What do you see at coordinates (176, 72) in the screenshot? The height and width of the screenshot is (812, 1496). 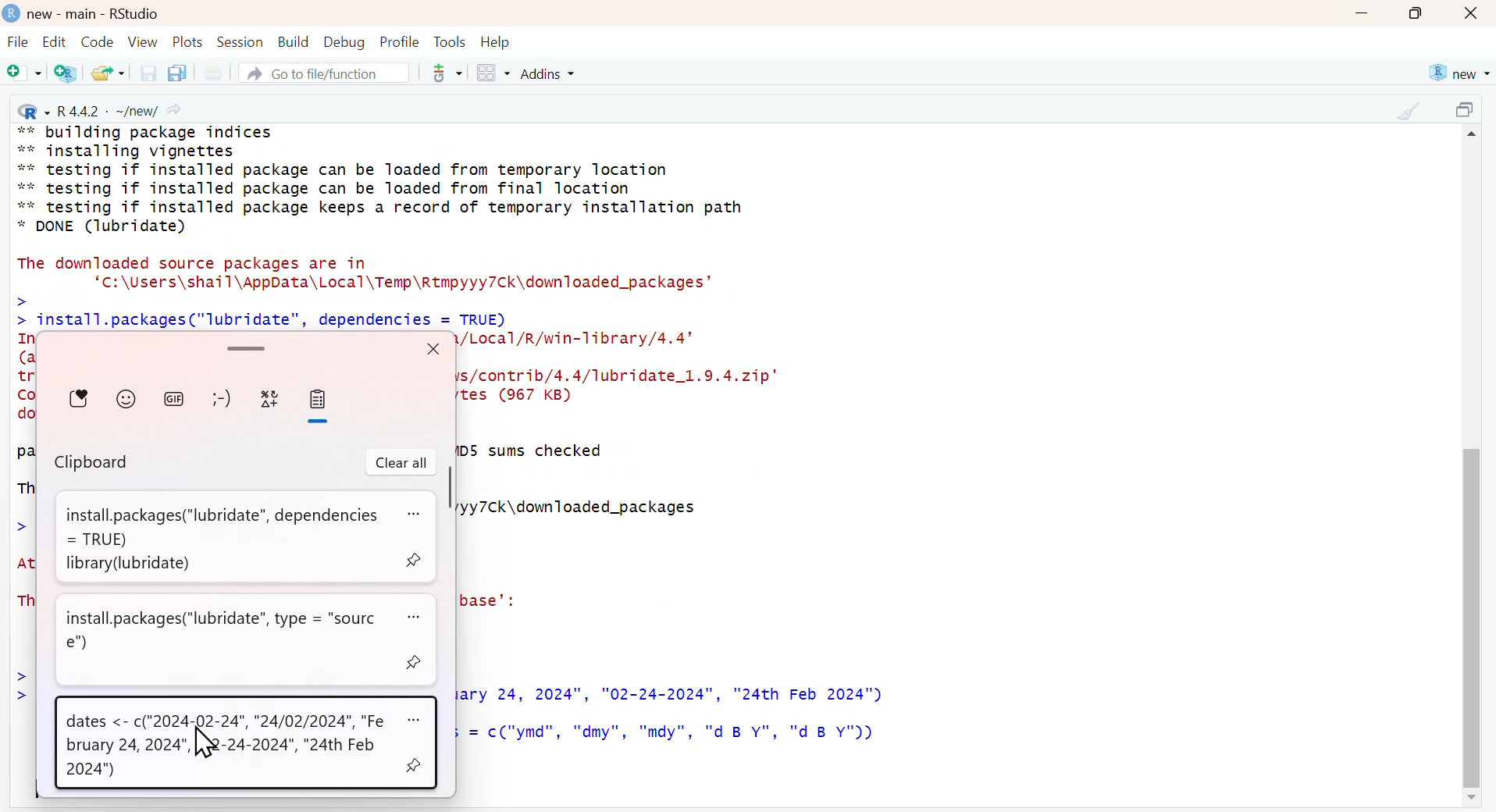 I see `save all the open documents` at bounding box center [176, 72].